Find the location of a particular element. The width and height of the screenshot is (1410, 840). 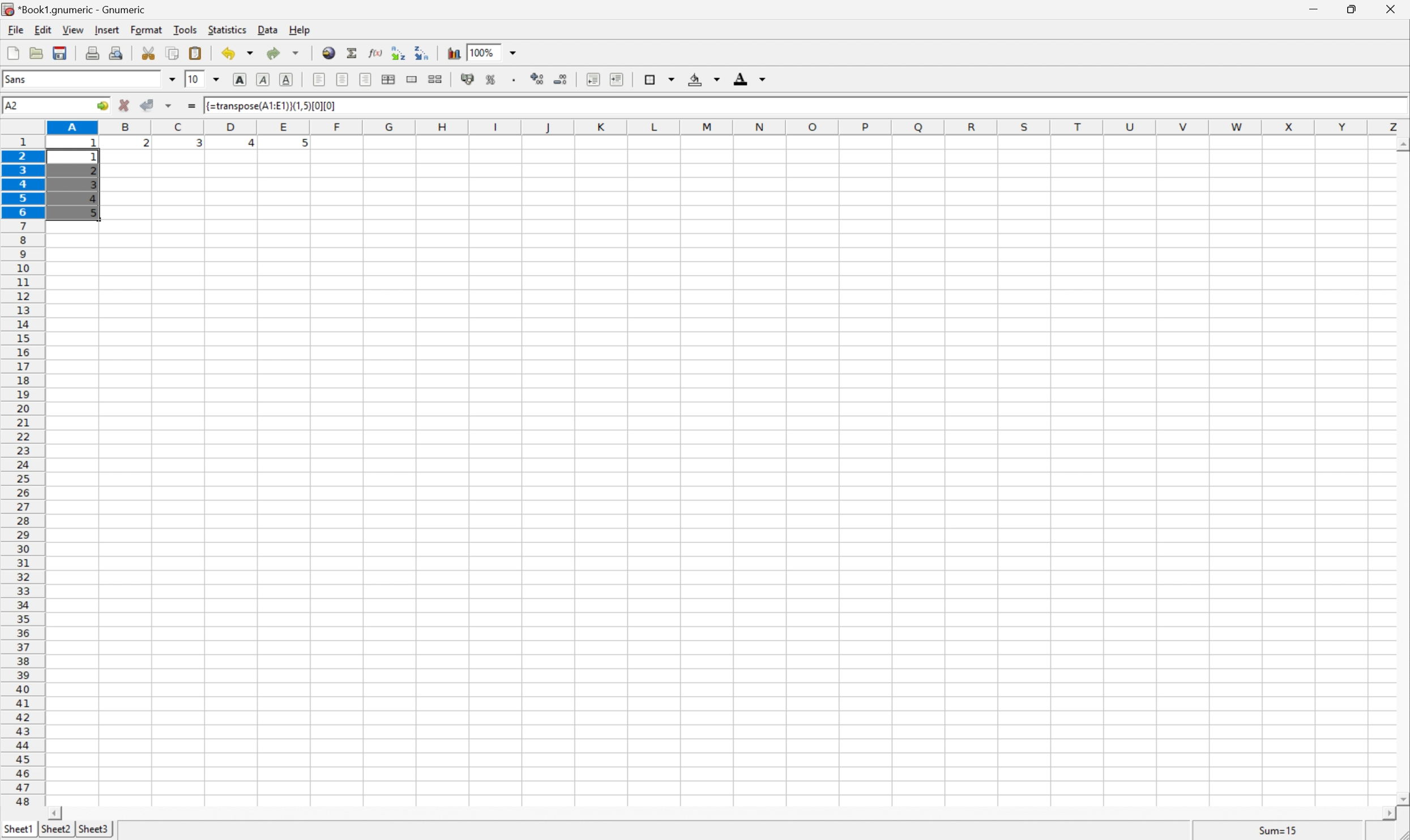

insert chart is located at coordinates (454, 53).